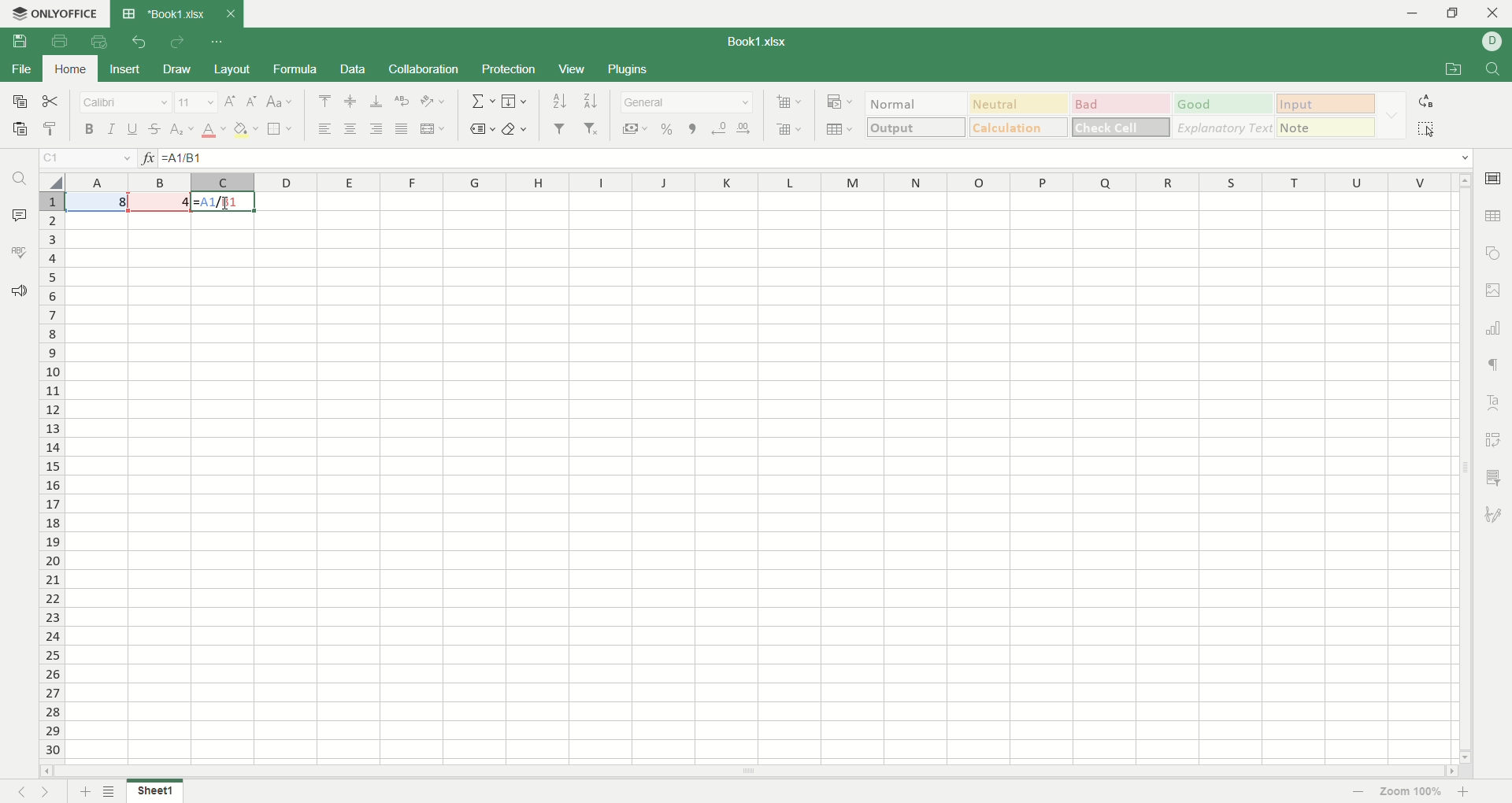  I want to click on insert cell, so click(787, 104).